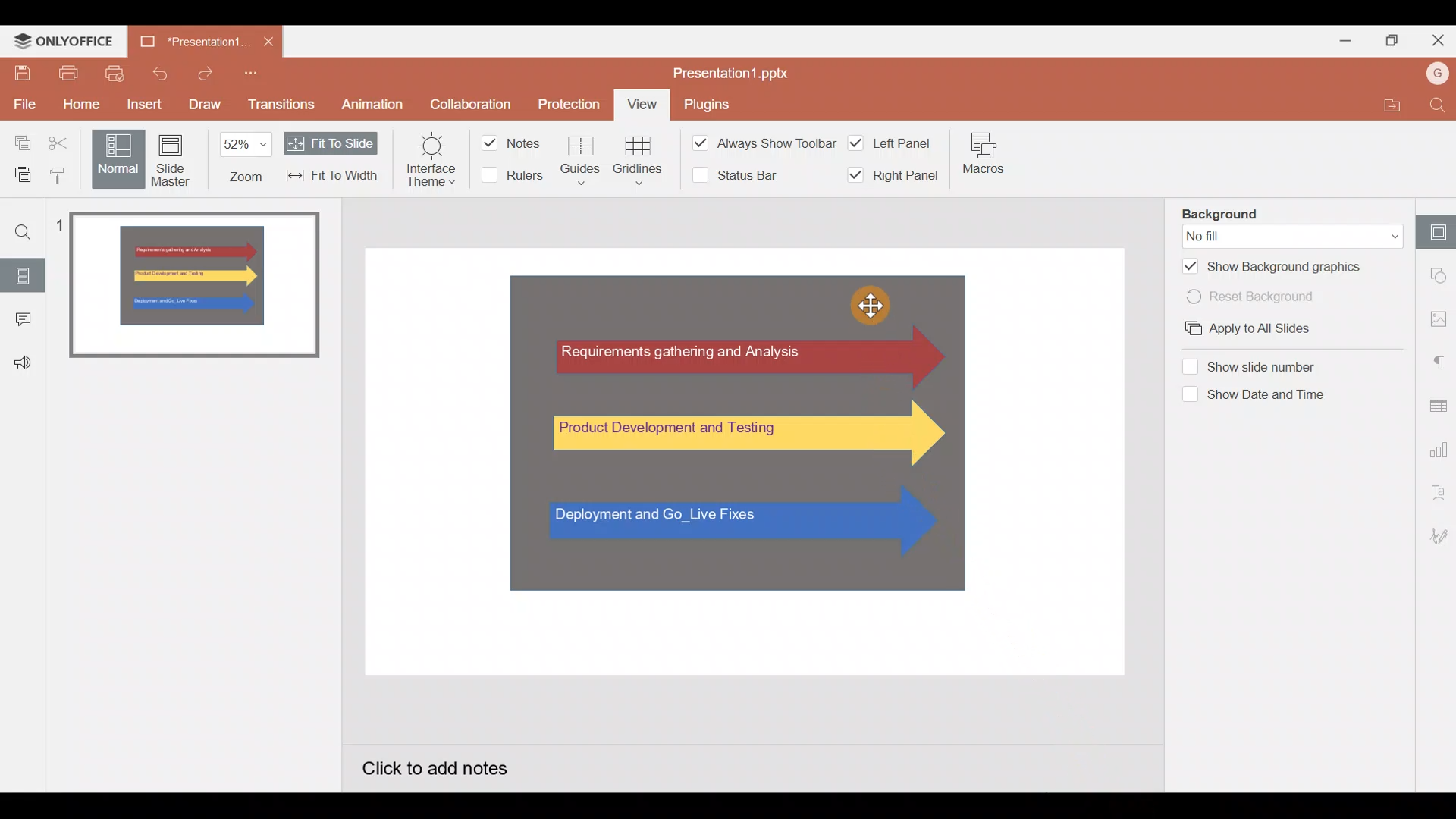 The width and height of the screenshot is (1456, 819). I want to click on Fit to width, so click(333, 177).